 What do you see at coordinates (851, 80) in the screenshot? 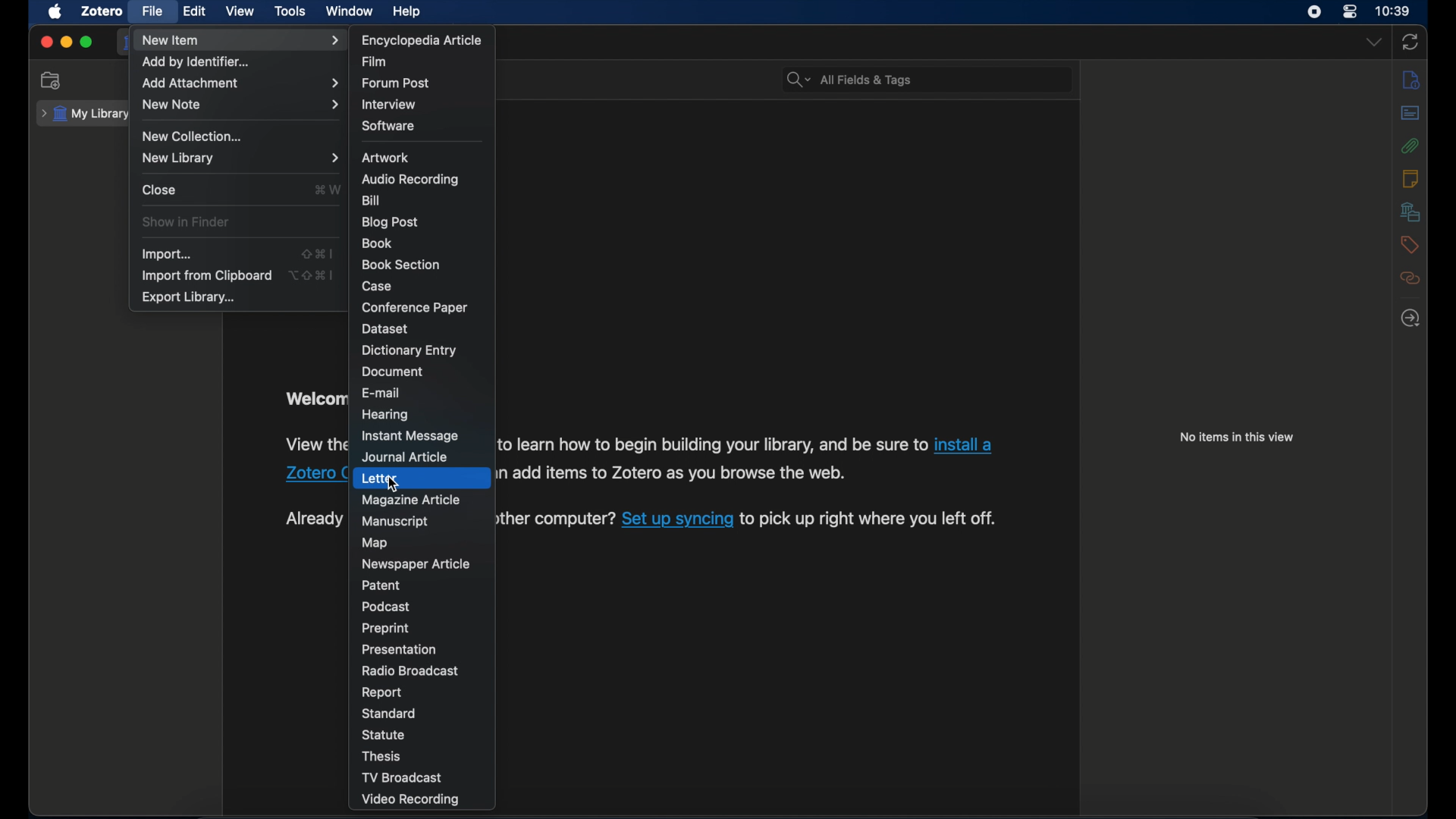
I see `search bar` at bounding box center [851, 80].